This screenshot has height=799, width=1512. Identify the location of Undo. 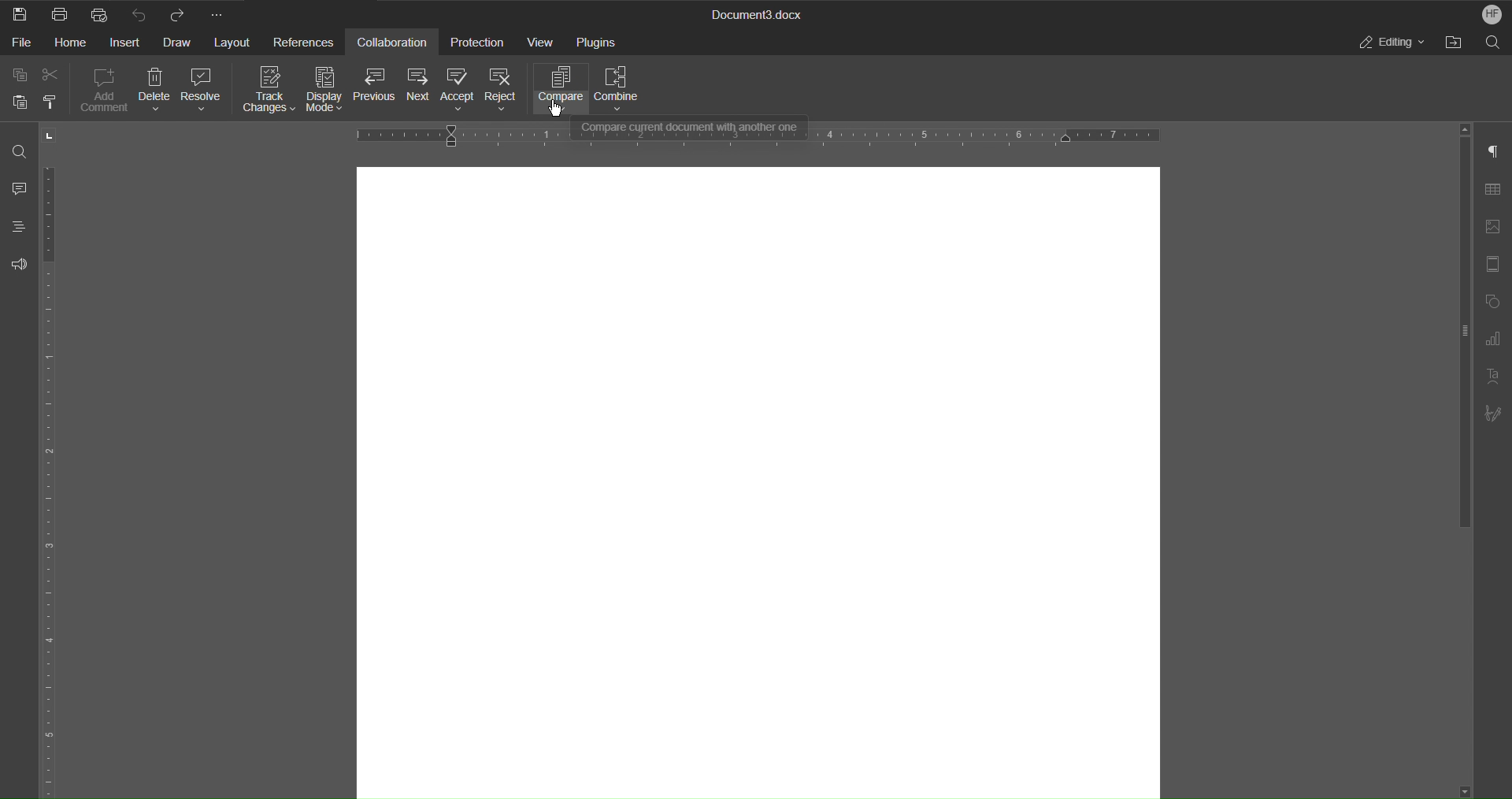
(142, 14).